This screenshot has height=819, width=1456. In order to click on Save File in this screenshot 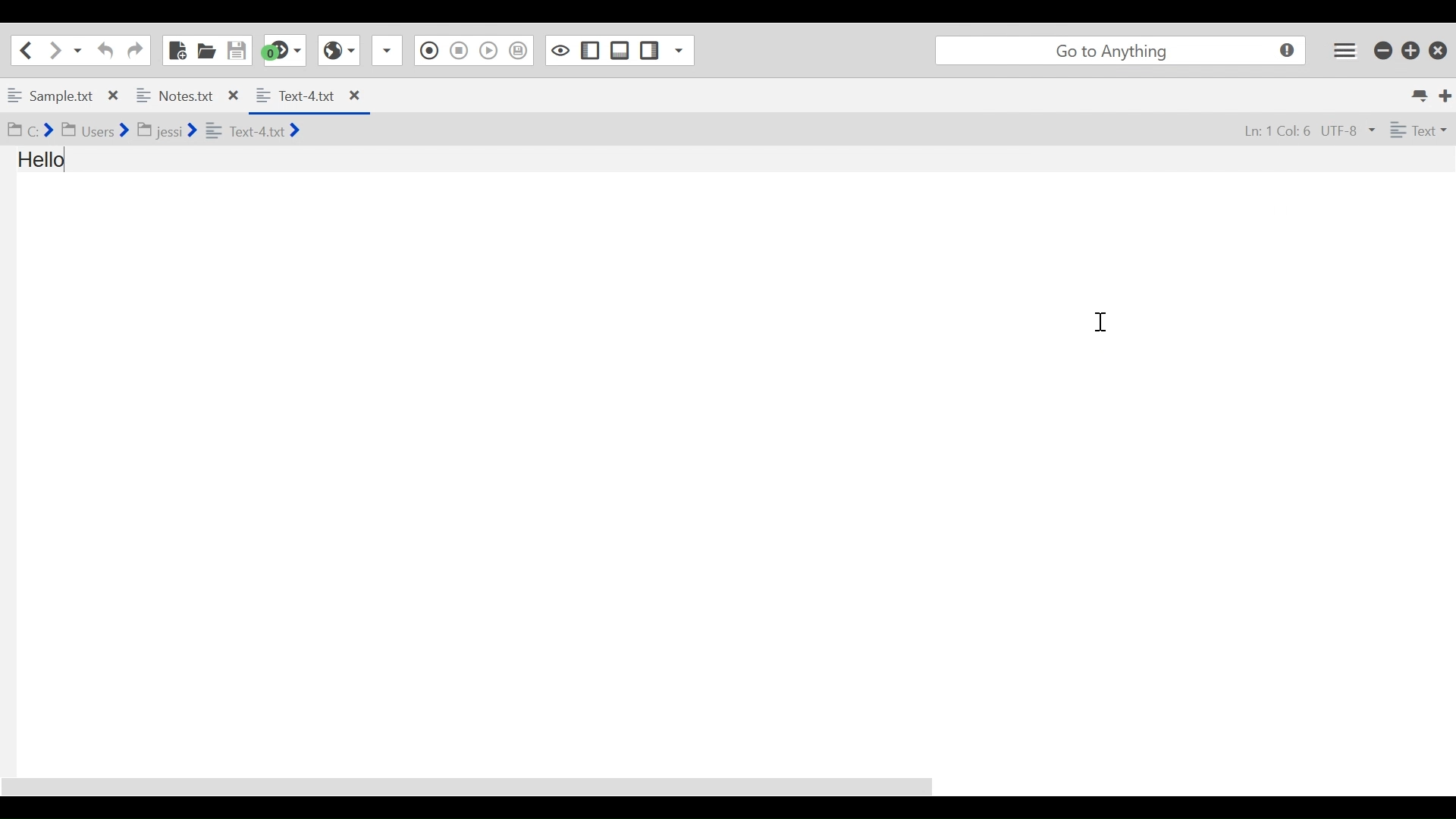, I will do `click(236, 50)`.